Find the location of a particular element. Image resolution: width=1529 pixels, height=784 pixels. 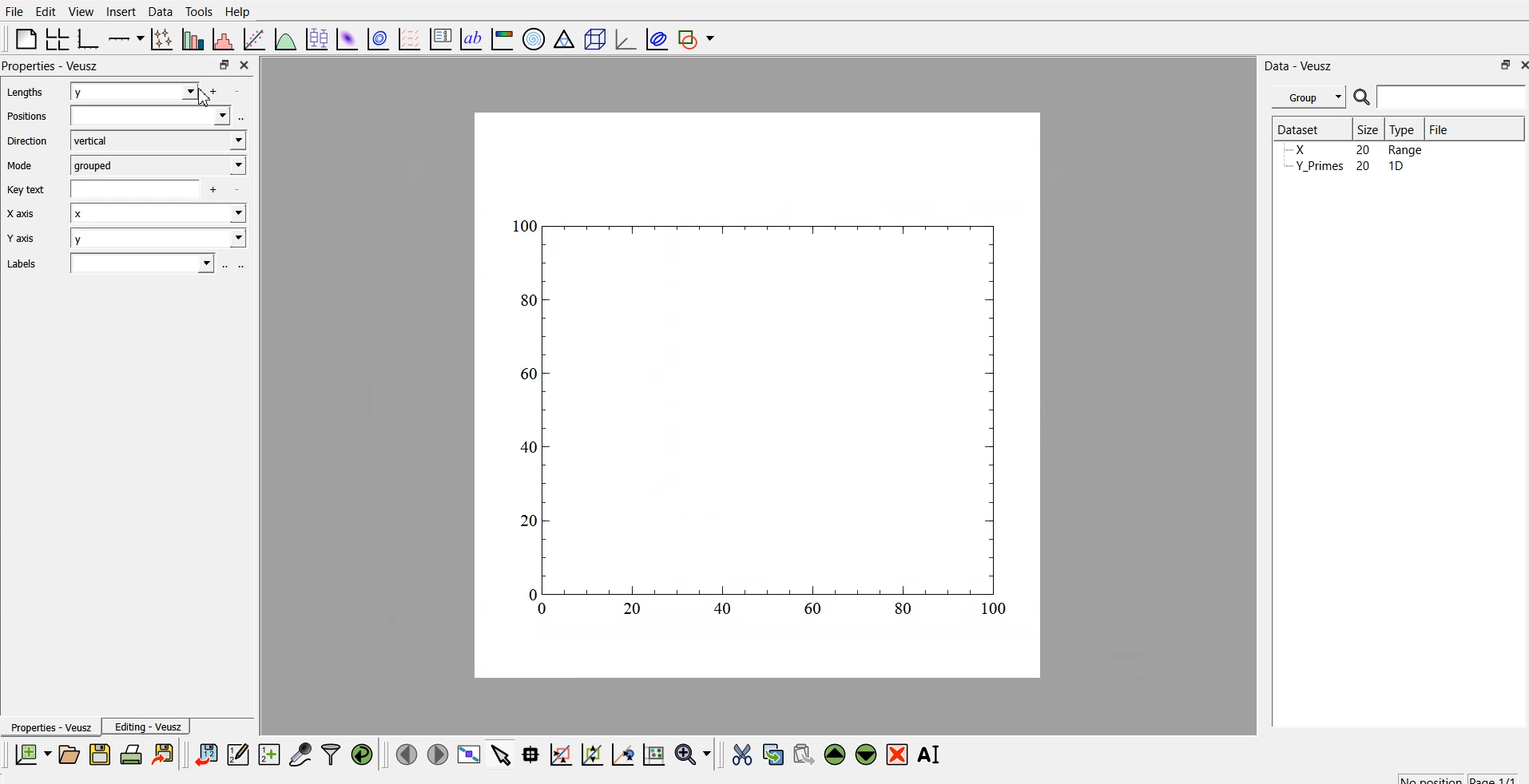

Tools is located at coordinates (198, 10).